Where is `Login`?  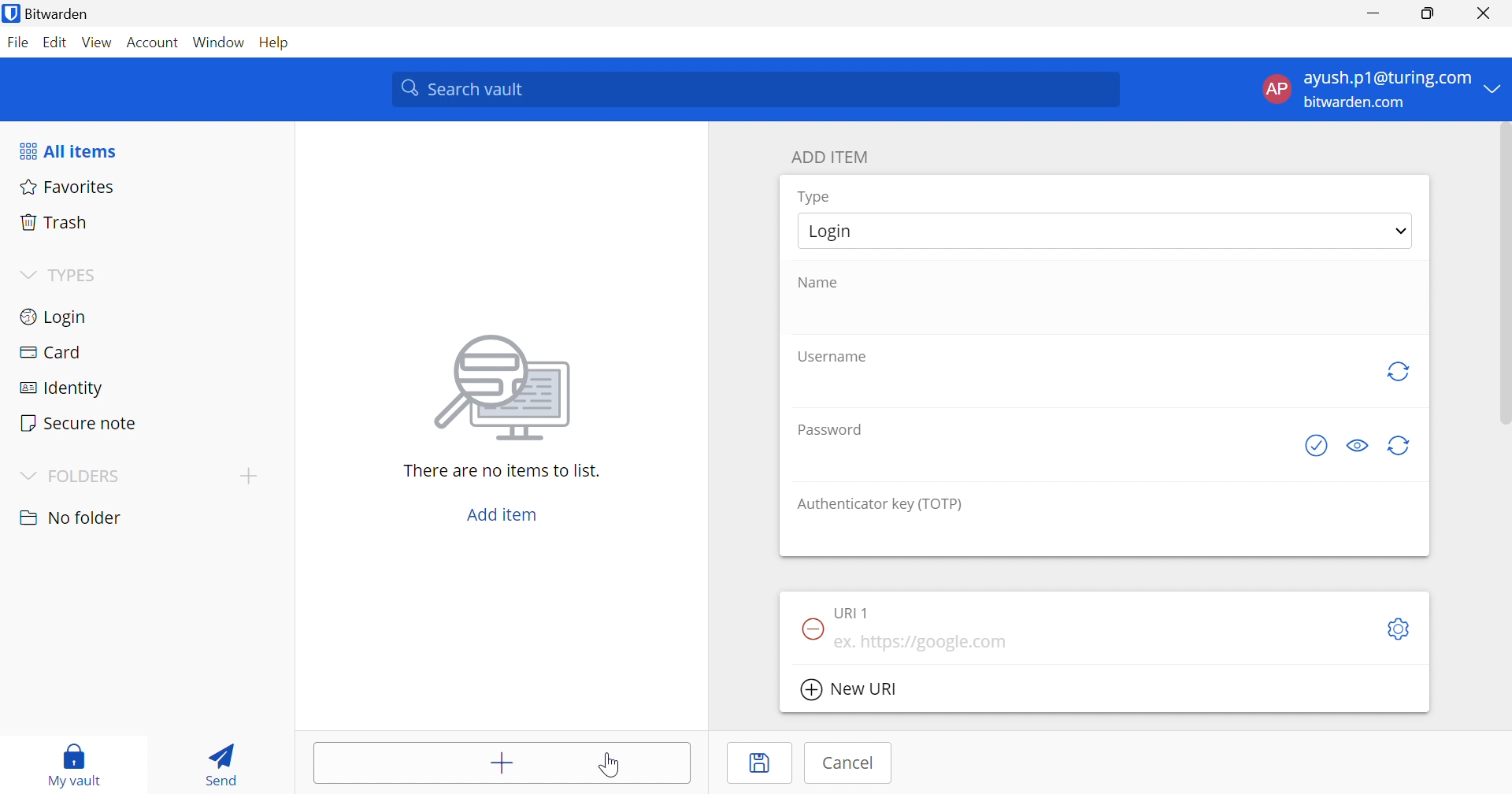
Login is located at coordinates (55, 317).